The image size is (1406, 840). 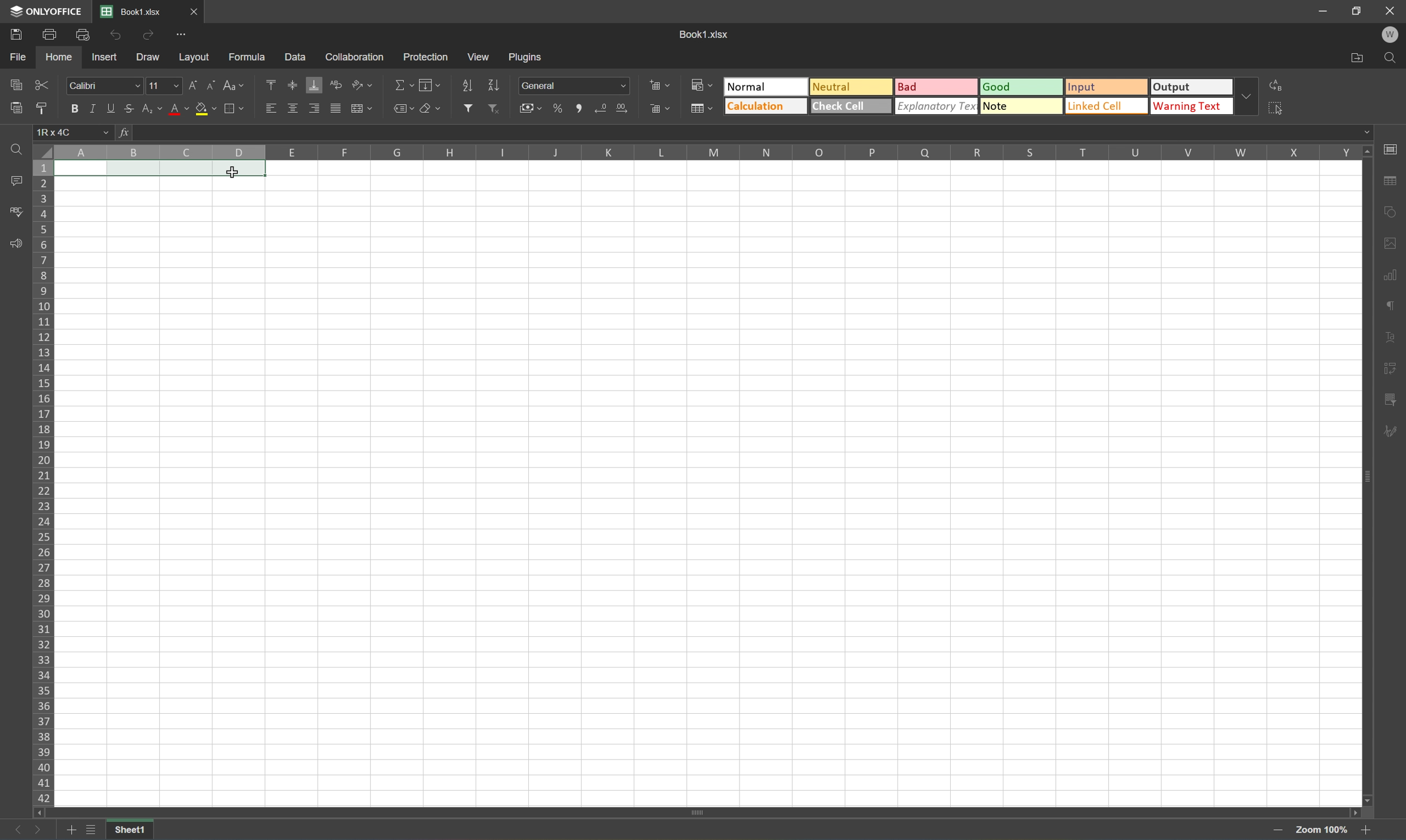 I want to click on Drop down, so click(x=1251, y=97).